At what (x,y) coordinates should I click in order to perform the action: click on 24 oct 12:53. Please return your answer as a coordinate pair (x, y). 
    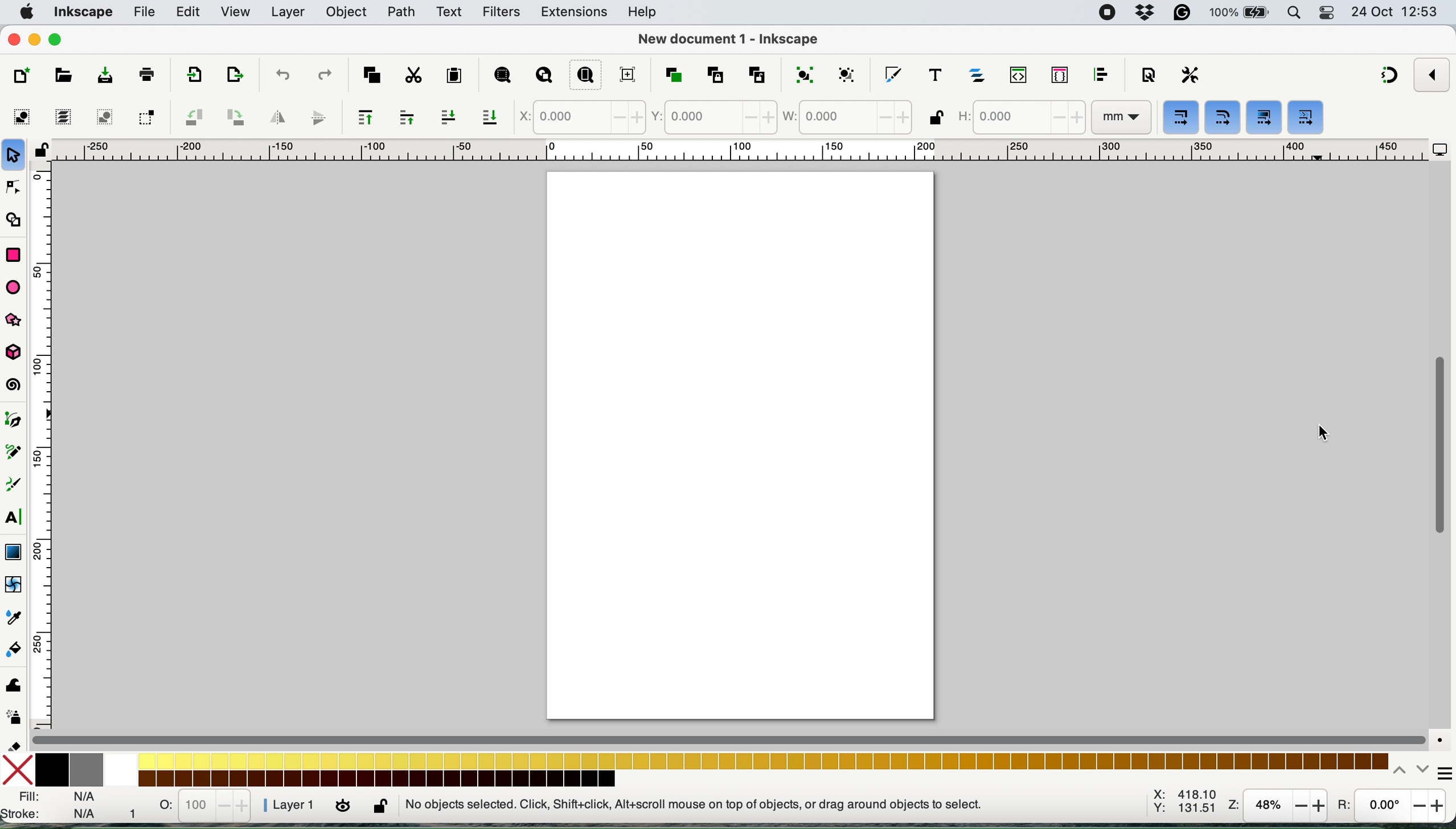
    Looking at the image, I should click on (1396, 14).